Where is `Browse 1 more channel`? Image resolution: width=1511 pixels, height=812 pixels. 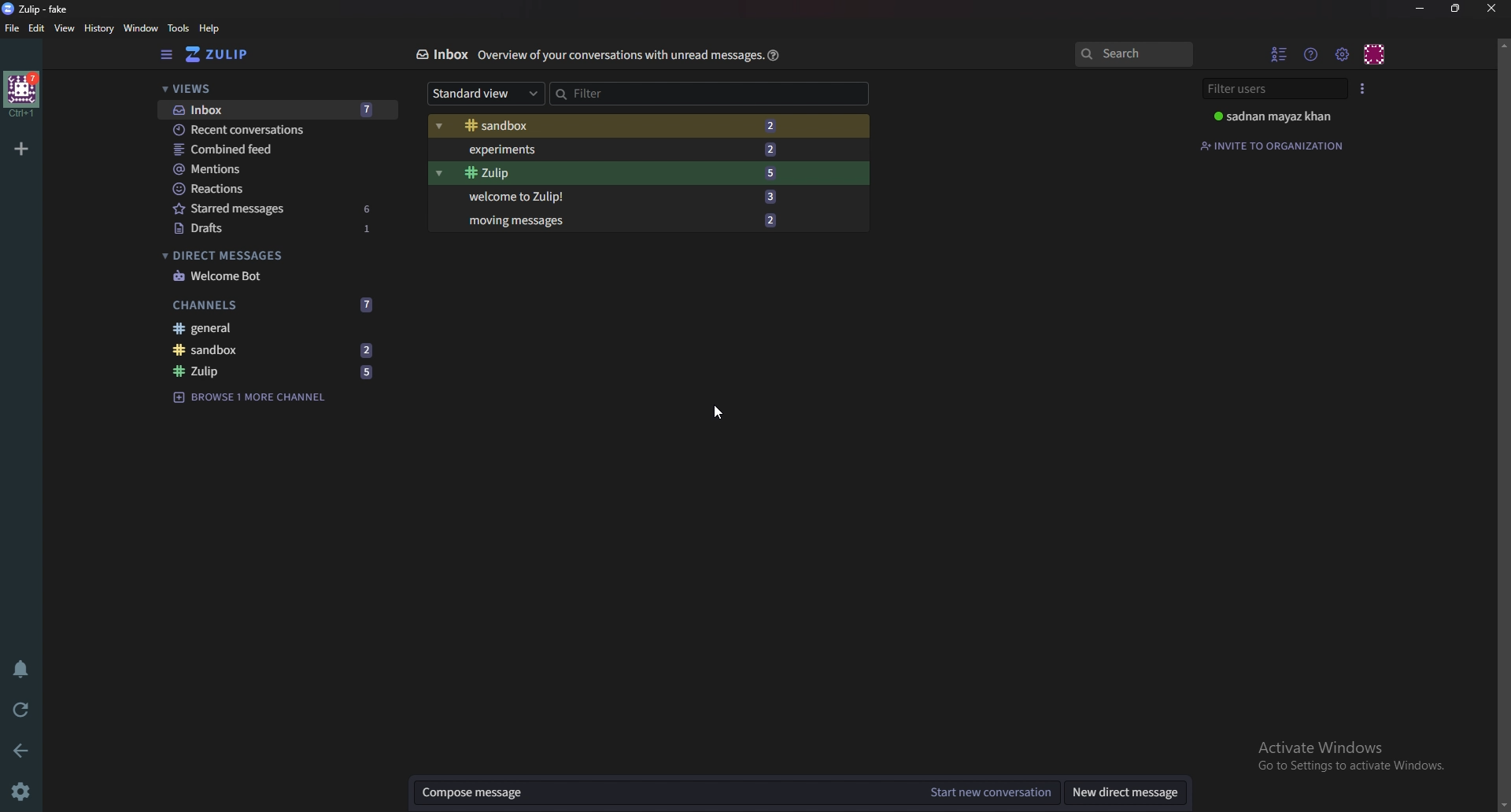
Browse 1 more channel is located at coordinates (260, 397).